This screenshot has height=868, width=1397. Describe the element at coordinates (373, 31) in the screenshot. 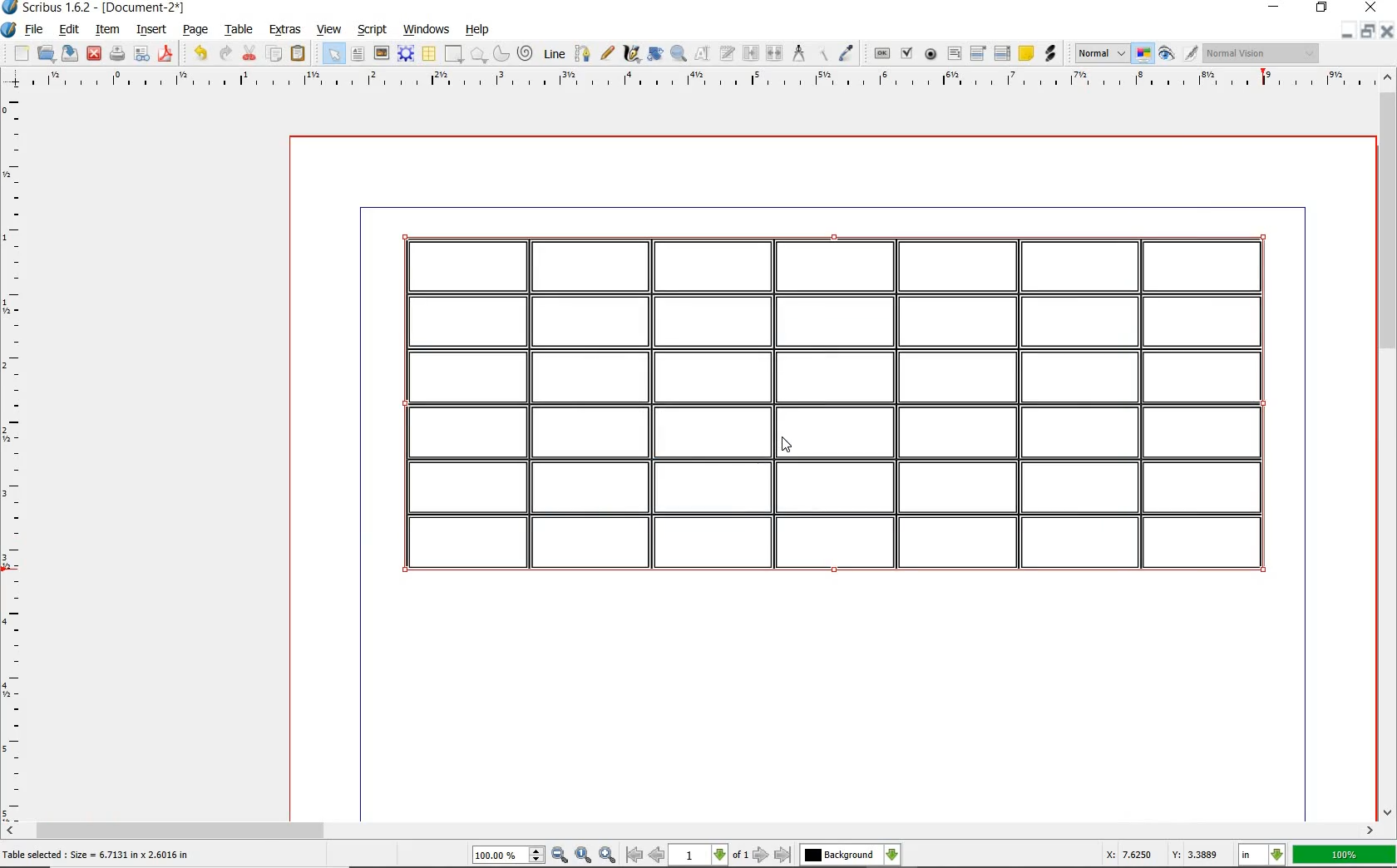

I see `script` at that location.